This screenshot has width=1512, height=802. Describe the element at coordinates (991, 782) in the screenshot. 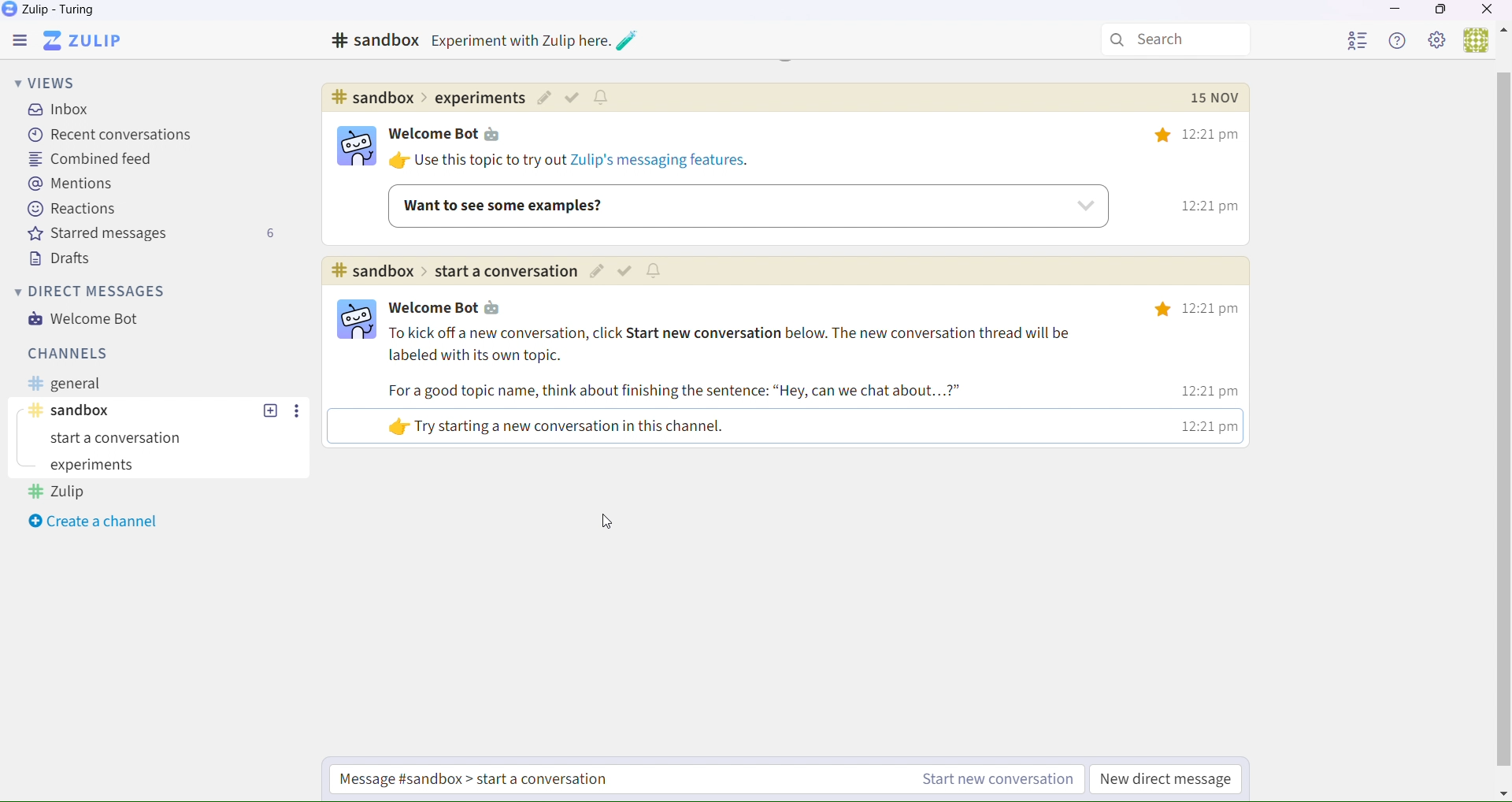

I see `Start a new conversation` at that location.